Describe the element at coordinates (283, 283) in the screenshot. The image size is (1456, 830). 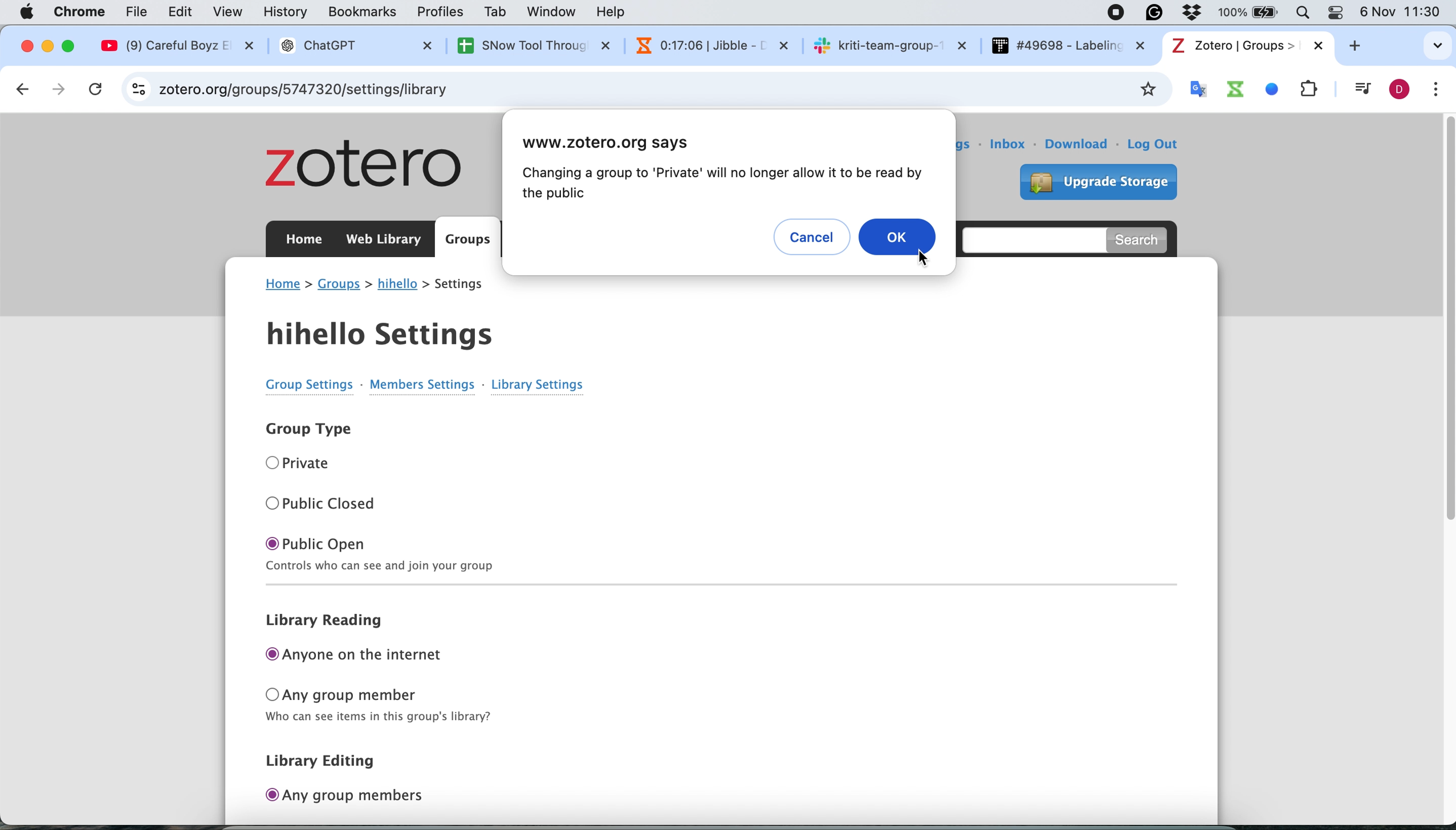
I see `home` at that location.